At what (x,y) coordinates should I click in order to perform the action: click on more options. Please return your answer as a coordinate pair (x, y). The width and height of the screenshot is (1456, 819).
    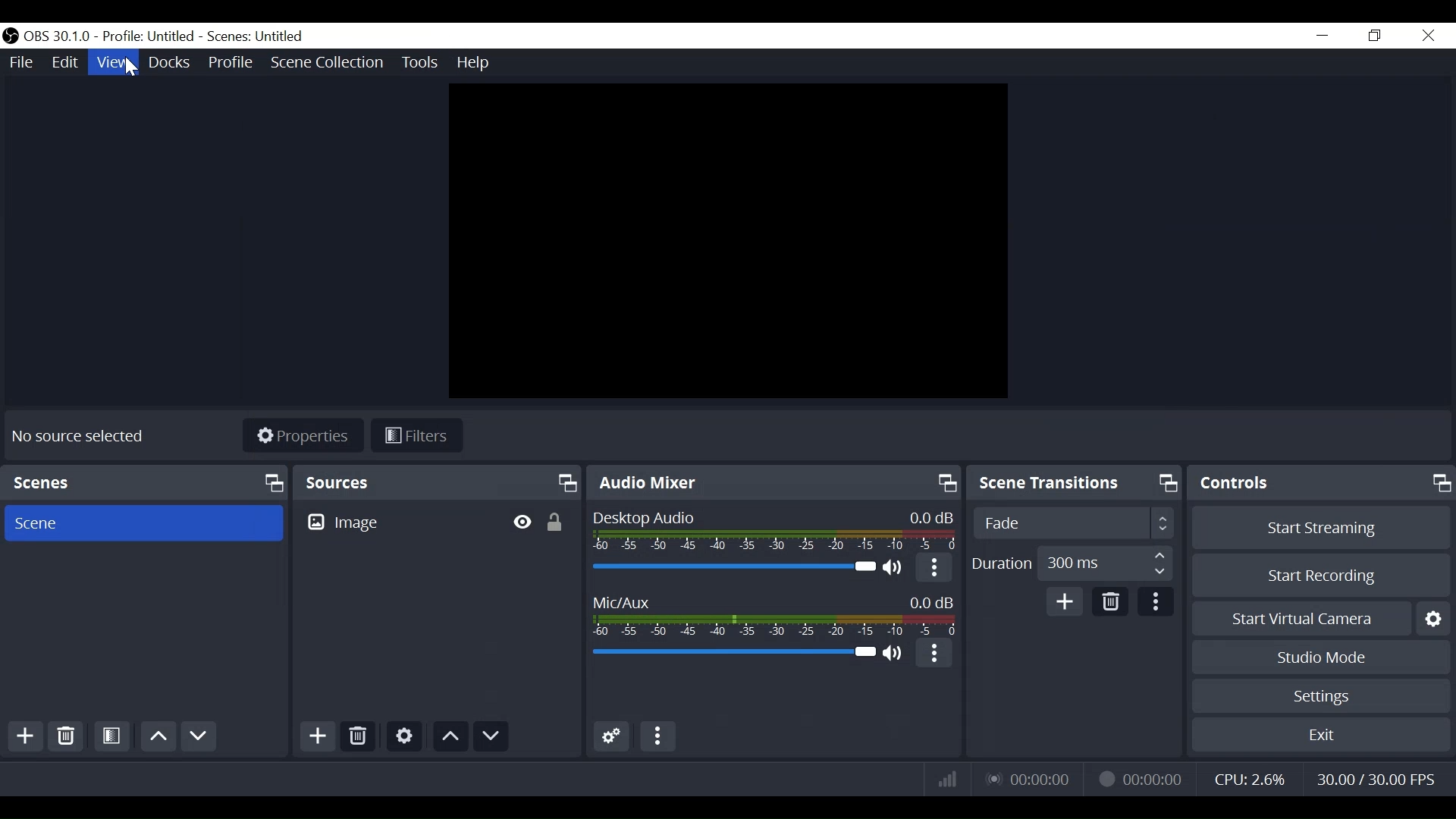
    Looking at the image, I should click on (937, 655).